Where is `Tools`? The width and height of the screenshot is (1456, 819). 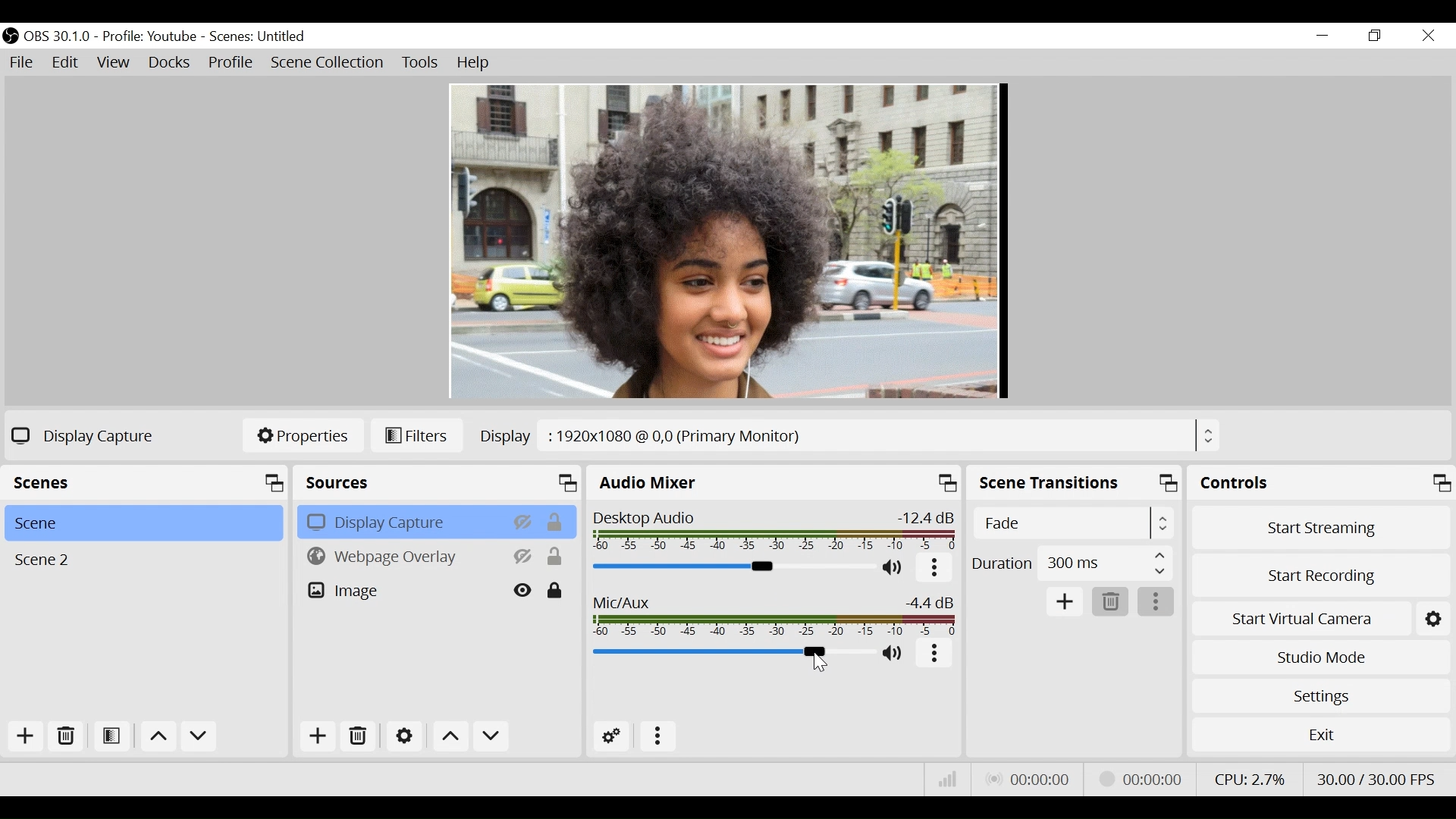 Tools is located at coordinates (422, 63).